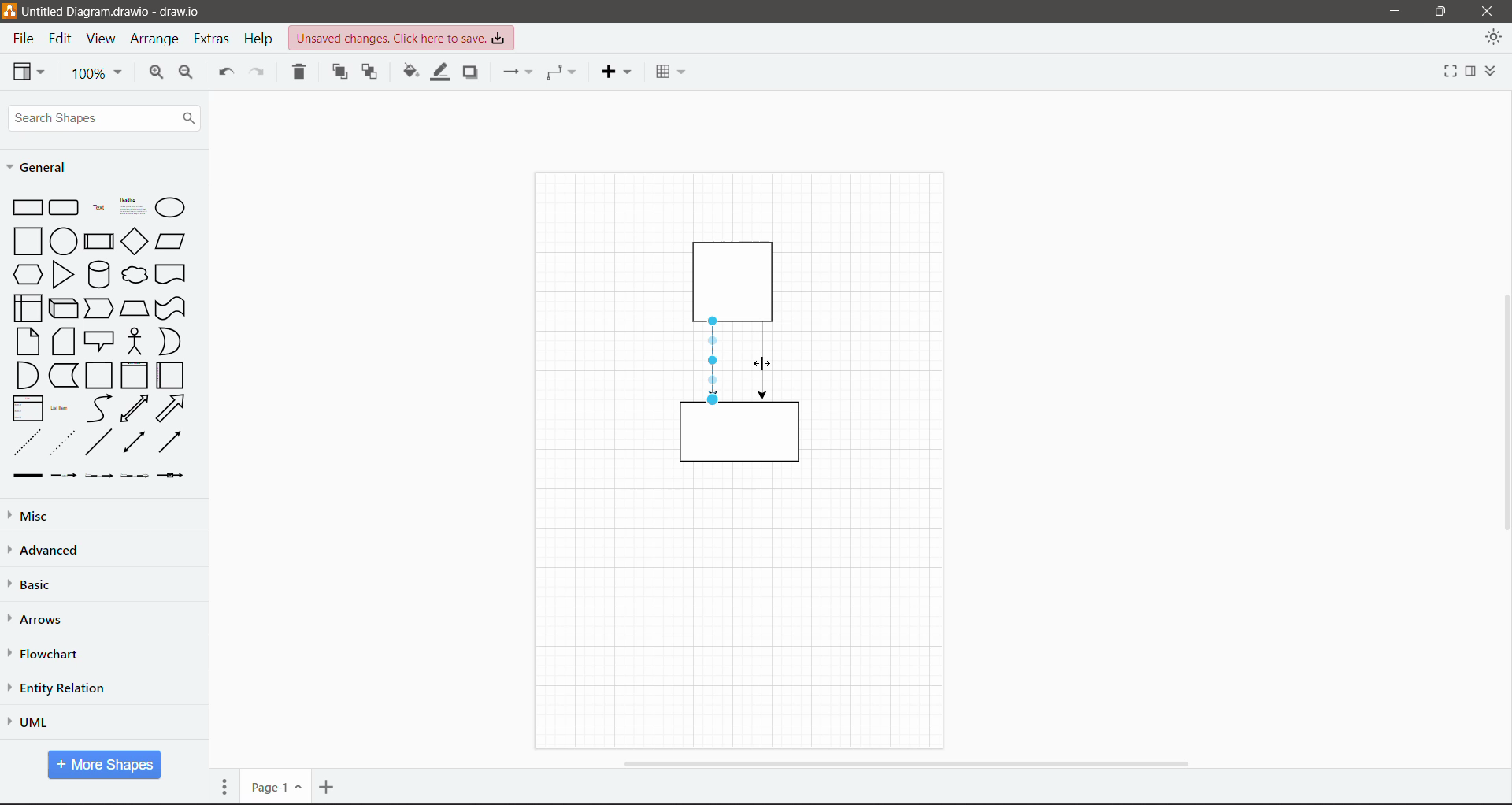 This screenshot has width=1512, height=805. Describe the element at coordinates (175, 475) in the screenshot. I see `connector with symbol` at that location.